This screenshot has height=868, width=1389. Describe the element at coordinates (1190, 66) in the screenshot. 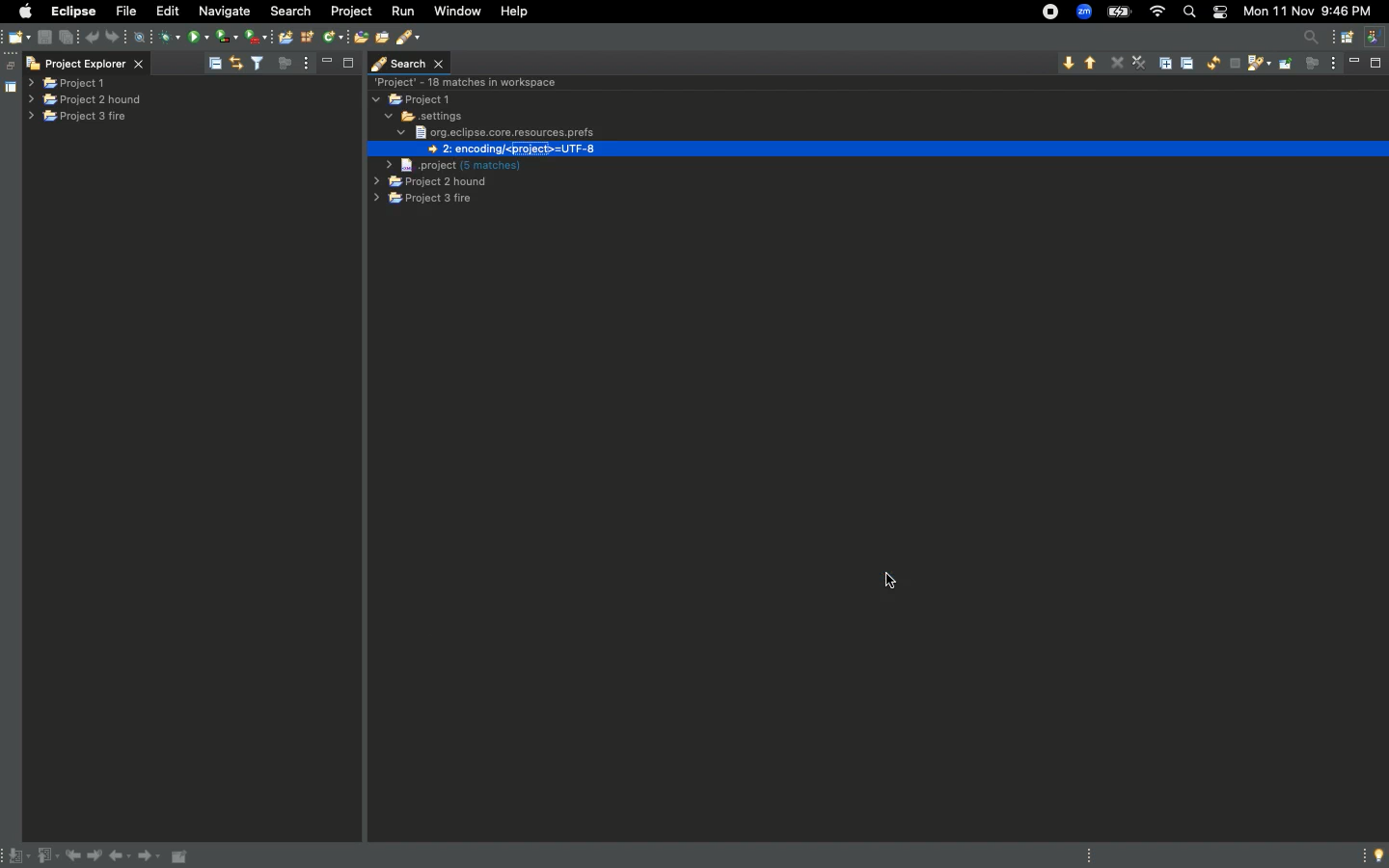

I see `Collapse all` at that location.